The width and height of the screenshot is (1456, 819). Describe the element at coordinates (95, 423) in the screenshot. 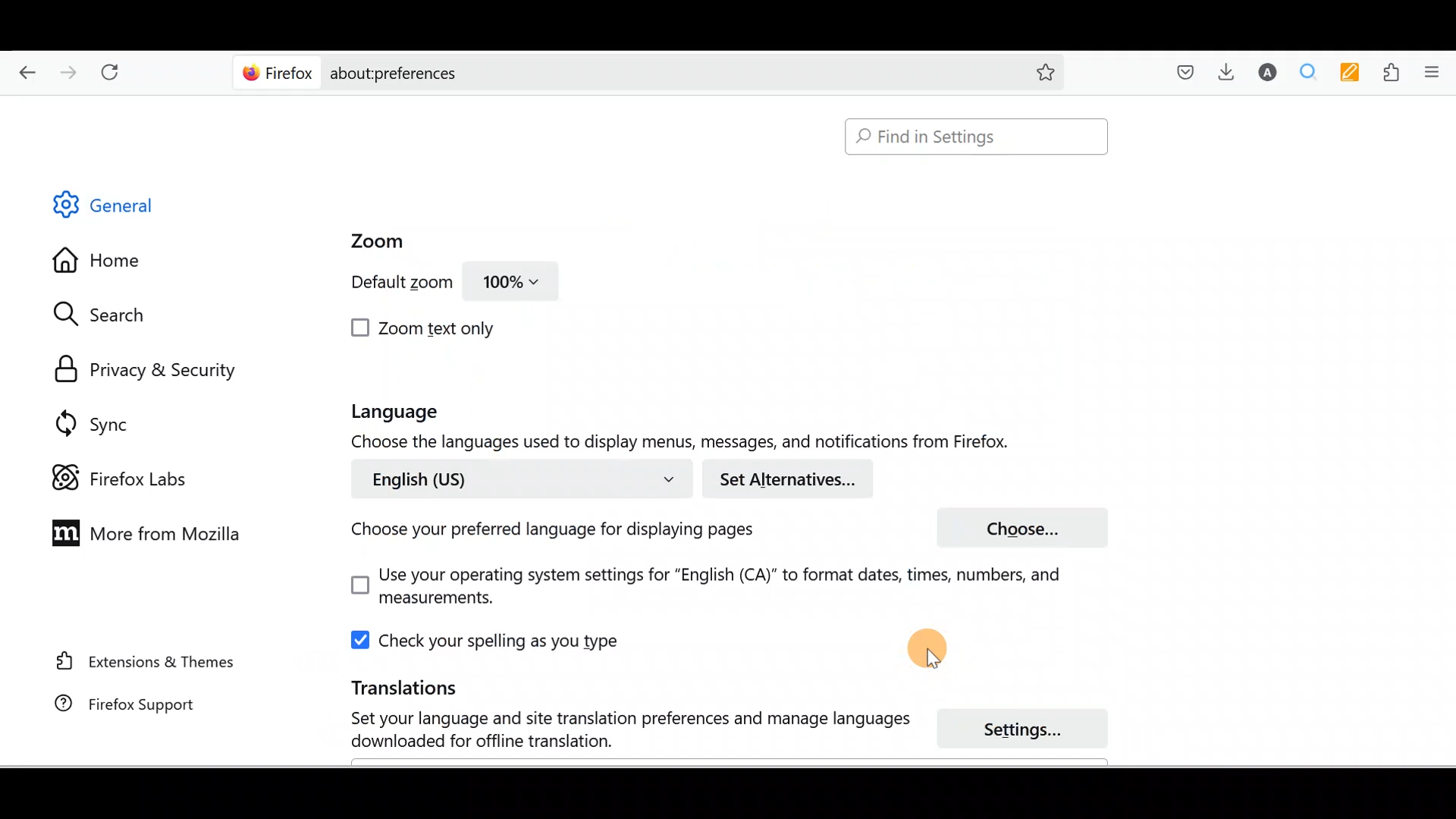

I see `Sync` at that location.